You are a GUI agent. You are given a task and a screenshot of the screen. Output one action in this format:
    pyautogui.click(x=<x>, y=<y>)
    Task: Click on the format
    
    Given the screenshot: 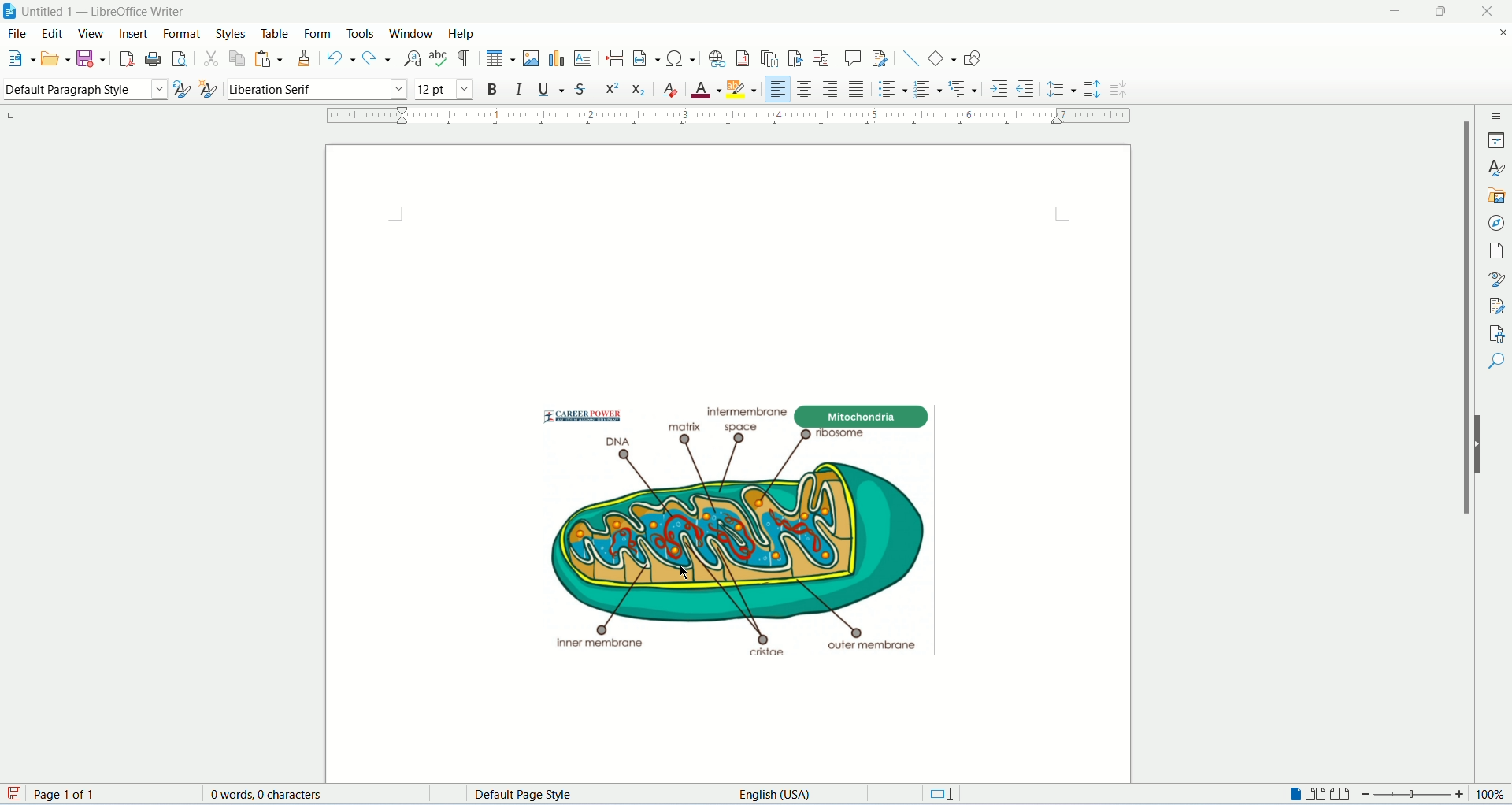 What is the action you would take?
    pyautogui.click(x=183, y=34)
    